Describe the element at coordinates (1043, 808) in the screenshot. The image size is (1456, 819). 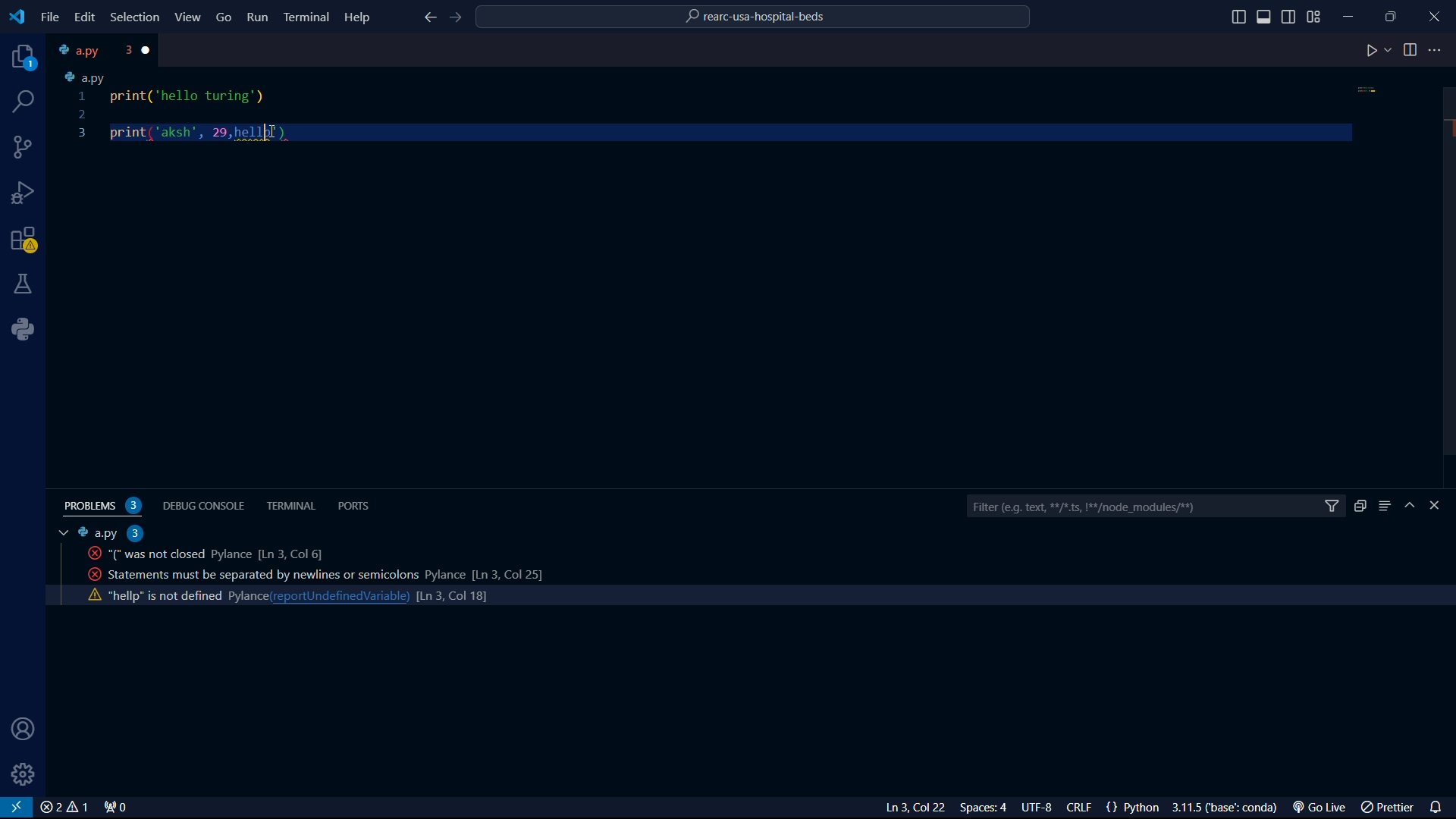
I see `UTF-8` at that location.